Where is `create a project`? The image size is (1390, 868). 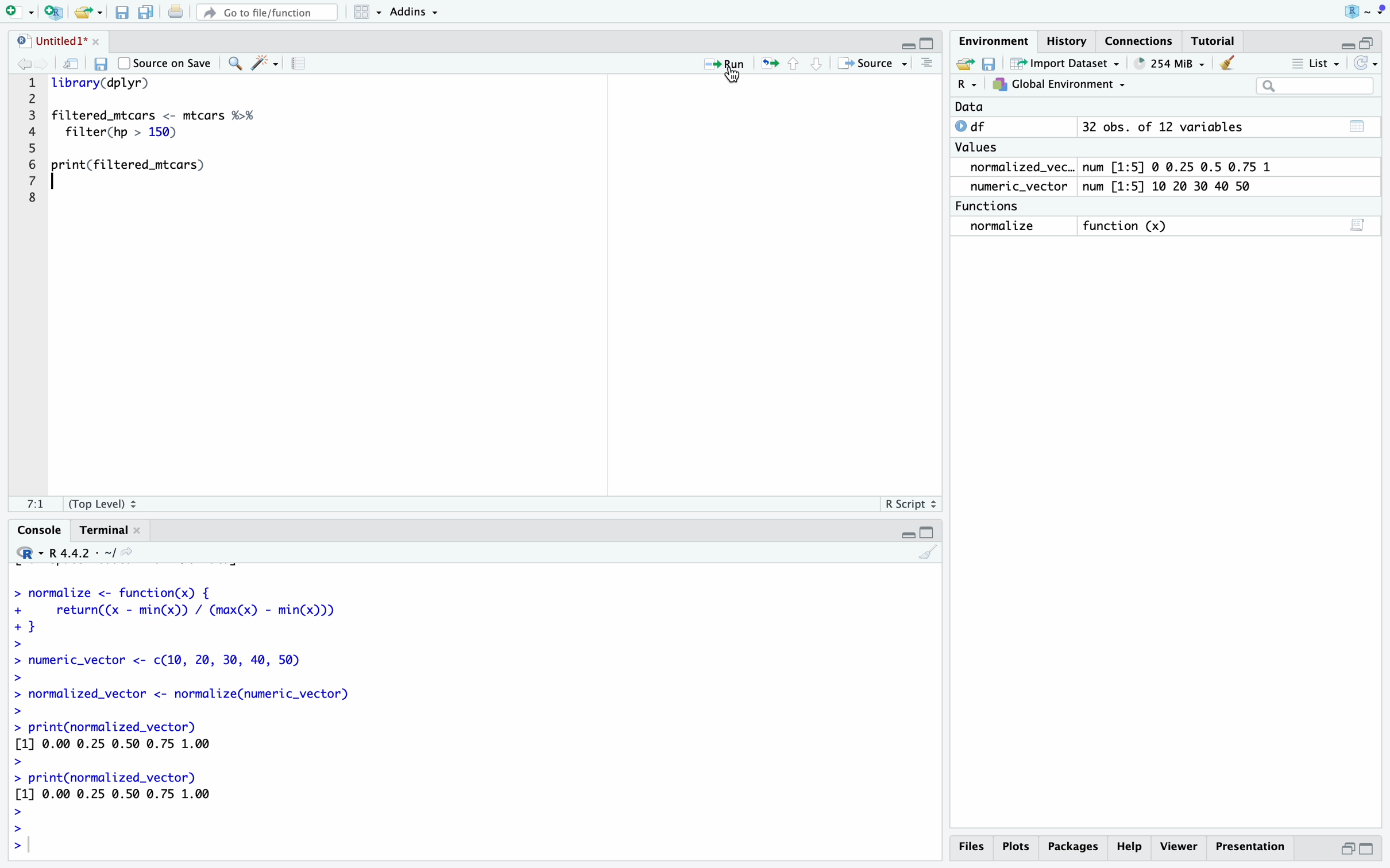 create a project is located at coordinates (53, 13).